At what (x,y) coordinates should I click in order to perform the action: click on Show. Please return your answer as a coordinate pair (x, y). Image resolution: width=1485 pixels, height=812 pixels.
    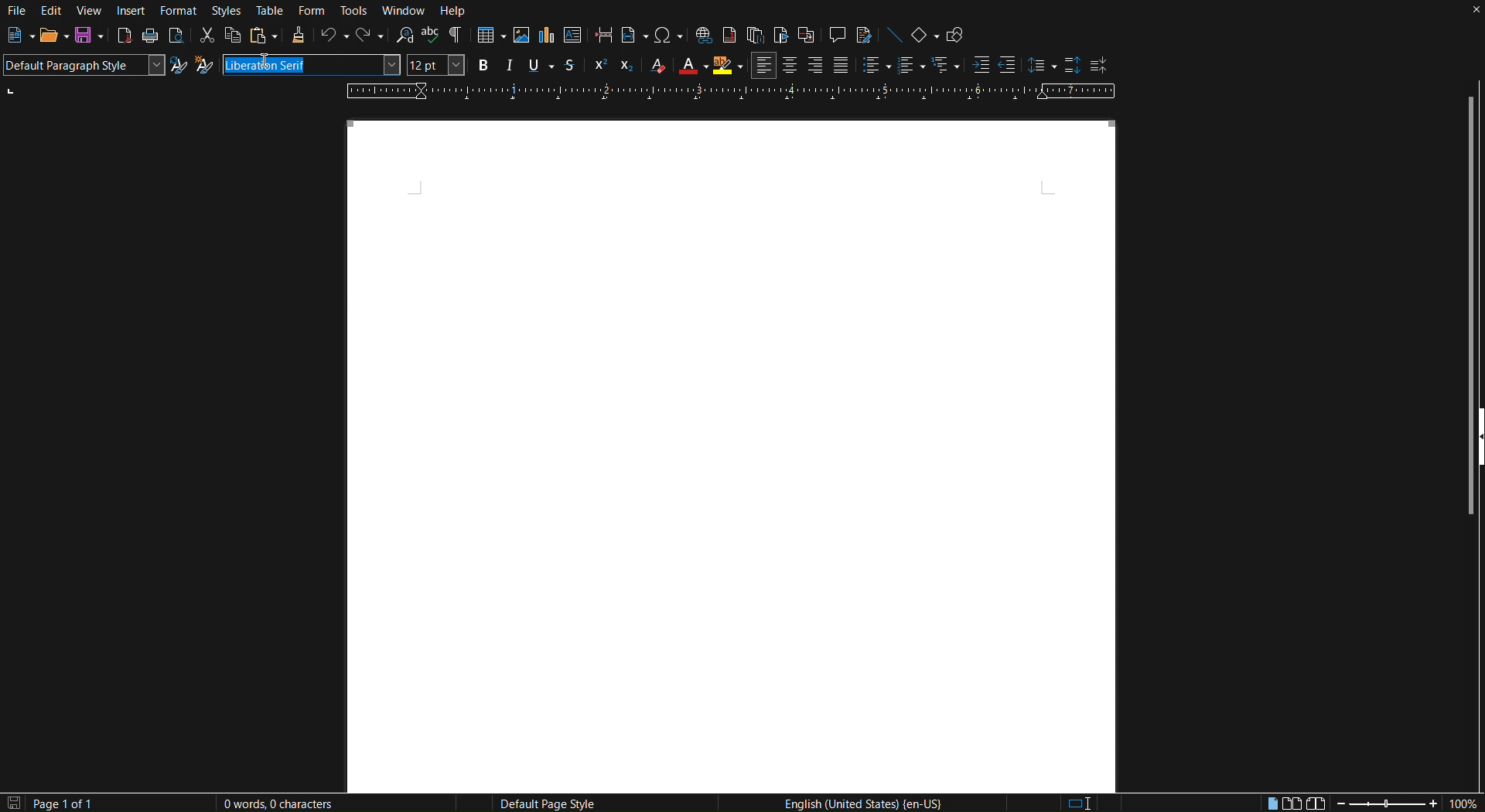
    Looking at the image, I should click on (1475, 464).